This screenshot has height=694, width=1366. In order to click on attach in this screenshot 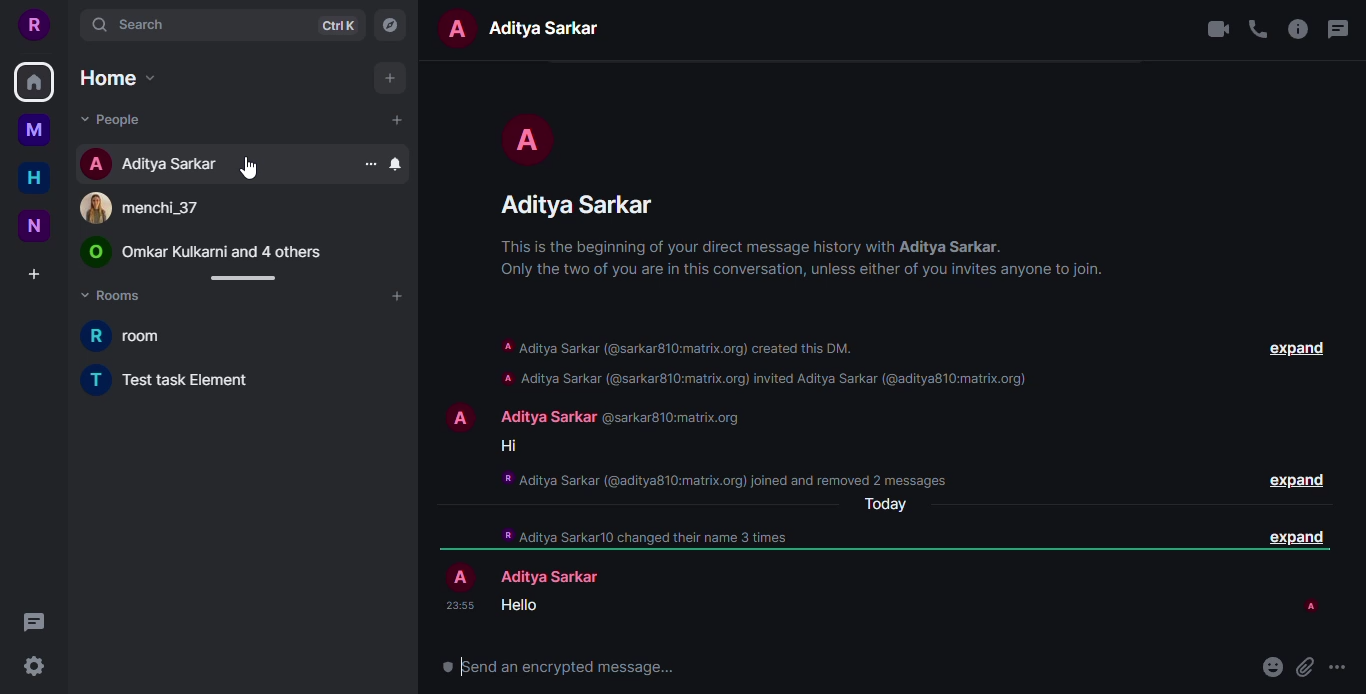, I will do `click(1304, 667)`.